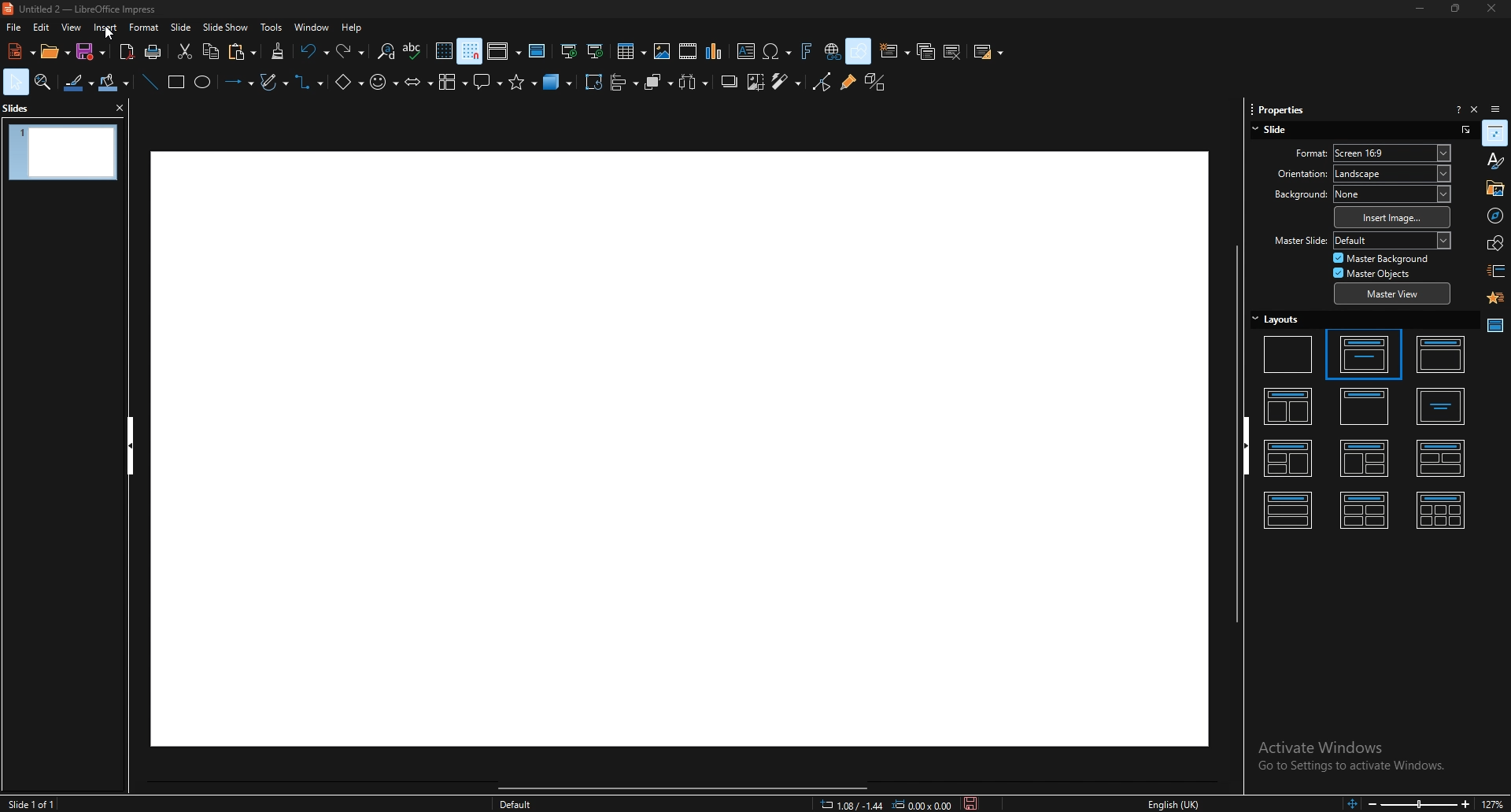  What do you see at coordinates (1289, 508) in the screenshot?
I see `title content over content` at bounding box center [1289, 508].